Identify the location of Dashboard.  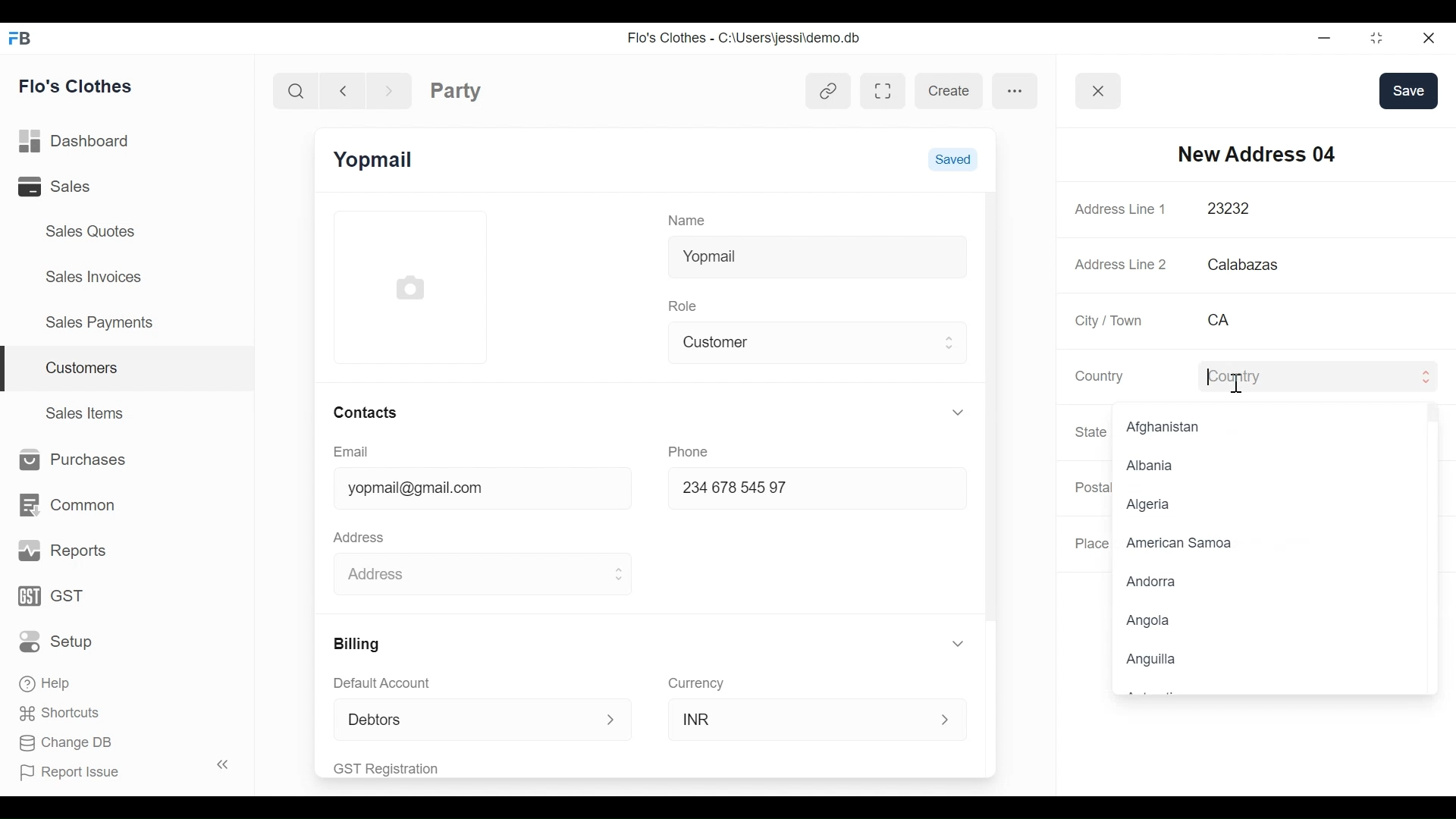
(79, 142).